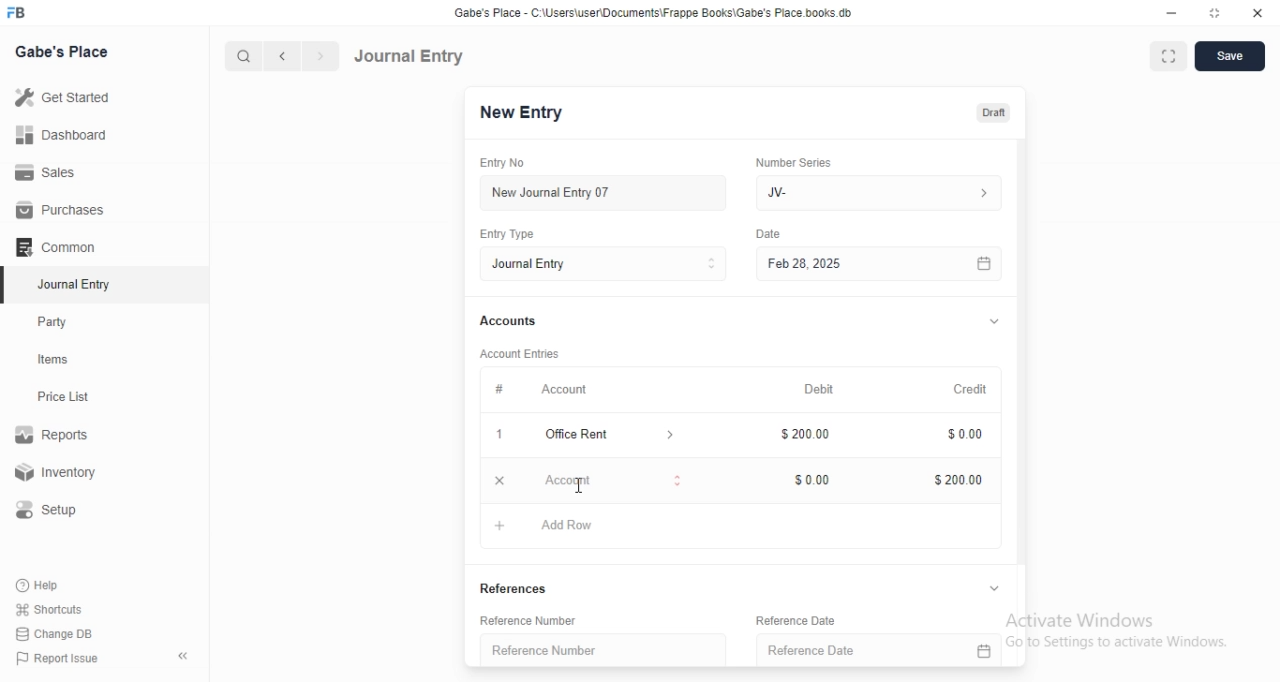 This screenshot has width=1280, height=682. Describe the element at coordinates (594, 623) in the screenshot. I see `Reference Number` at that location.